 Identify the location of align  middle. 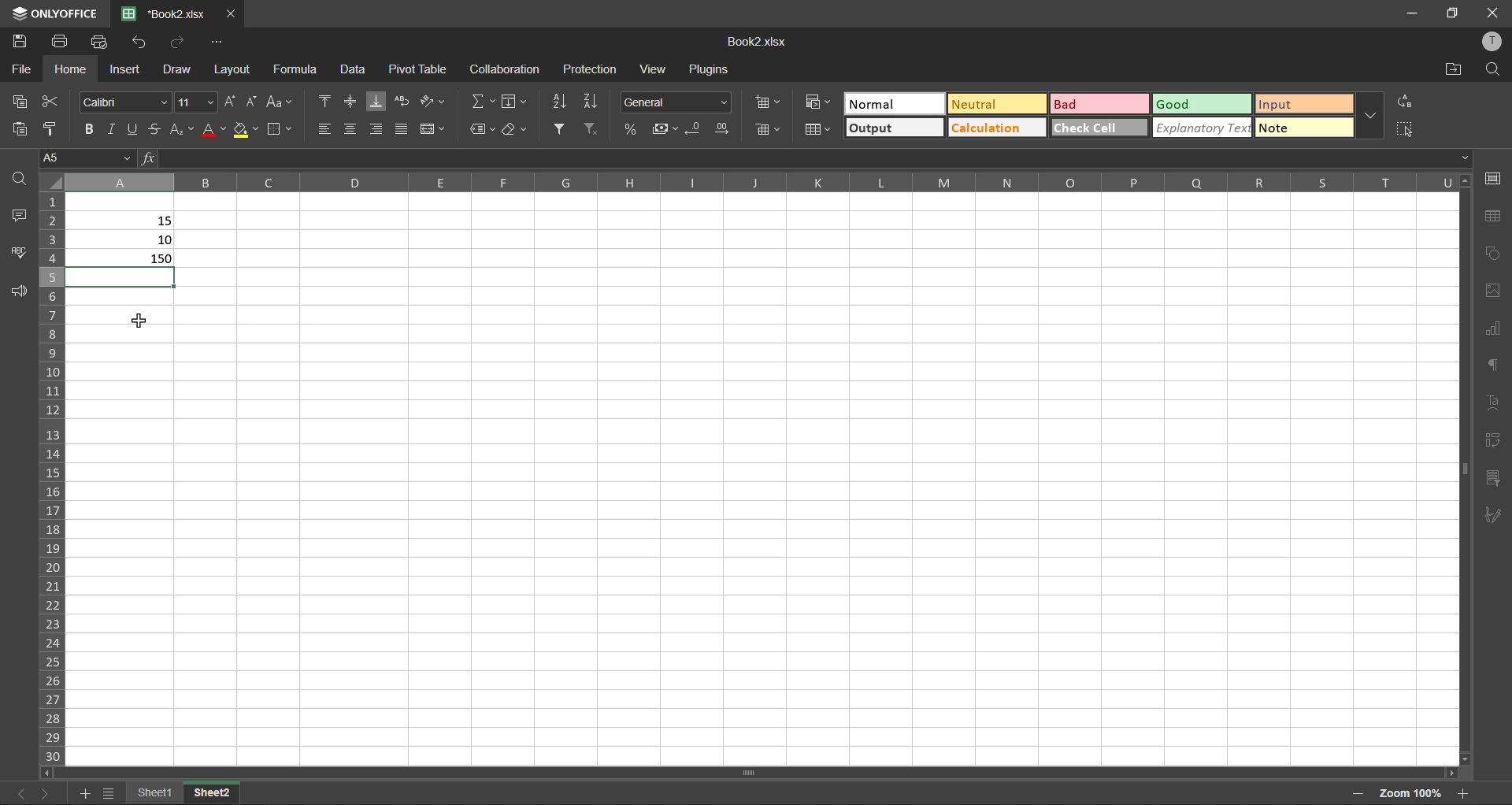
(348, 101).